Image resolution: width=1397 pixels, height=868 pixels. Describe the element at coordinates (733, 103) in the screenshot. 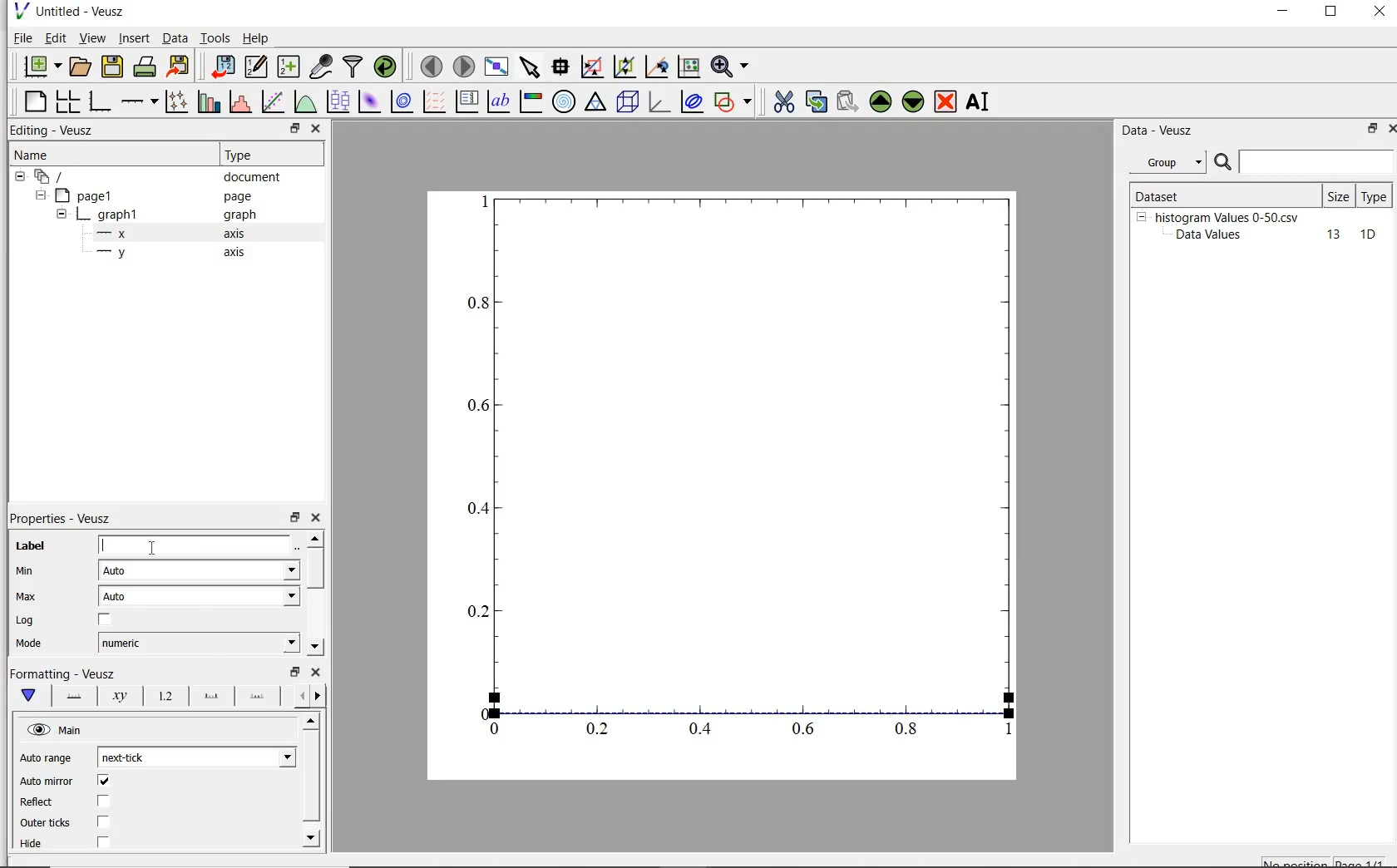

I see `add shape` at that location.